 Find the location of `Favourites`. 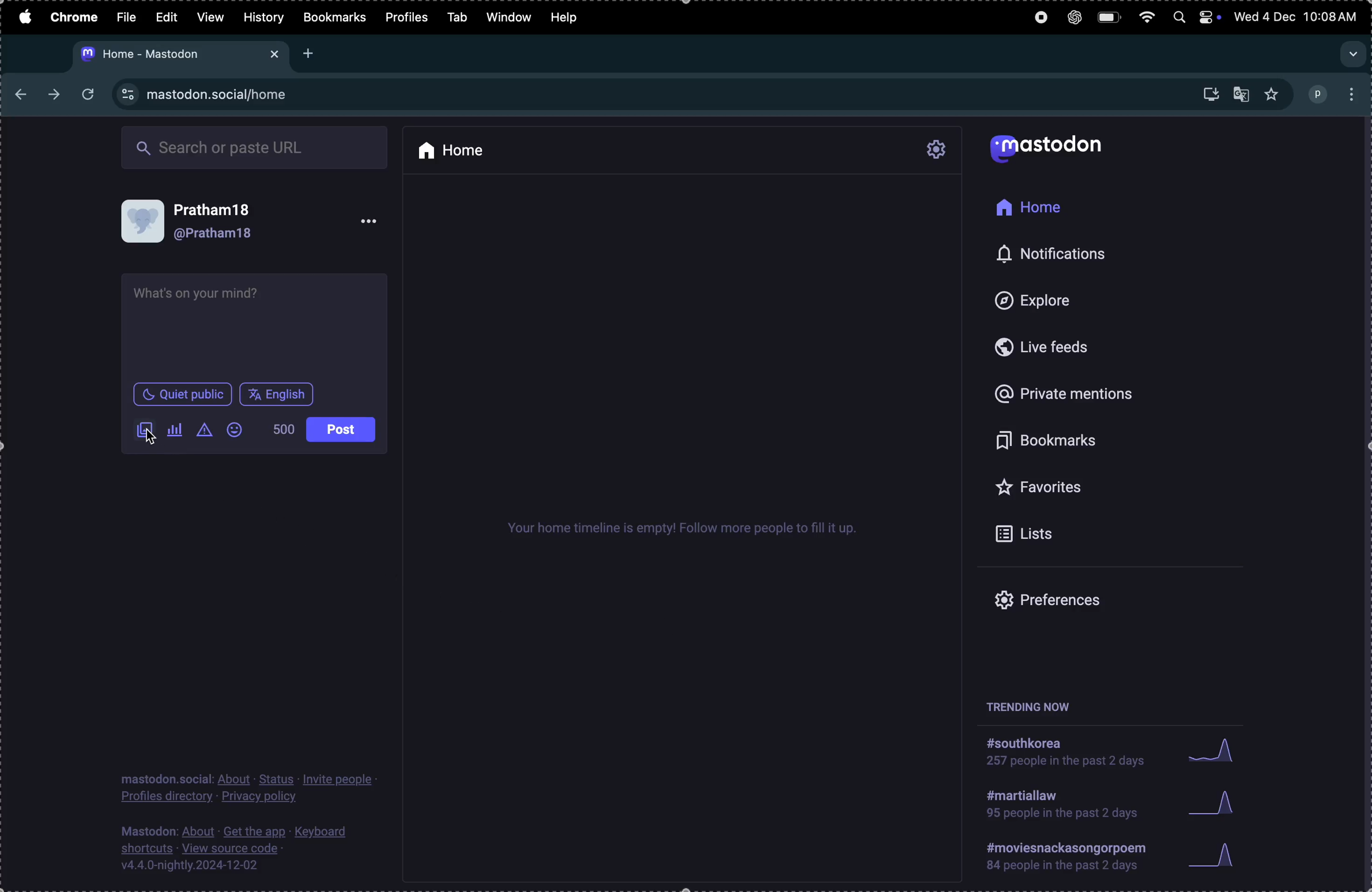

Favourites is located at coordinates (1066, 486).